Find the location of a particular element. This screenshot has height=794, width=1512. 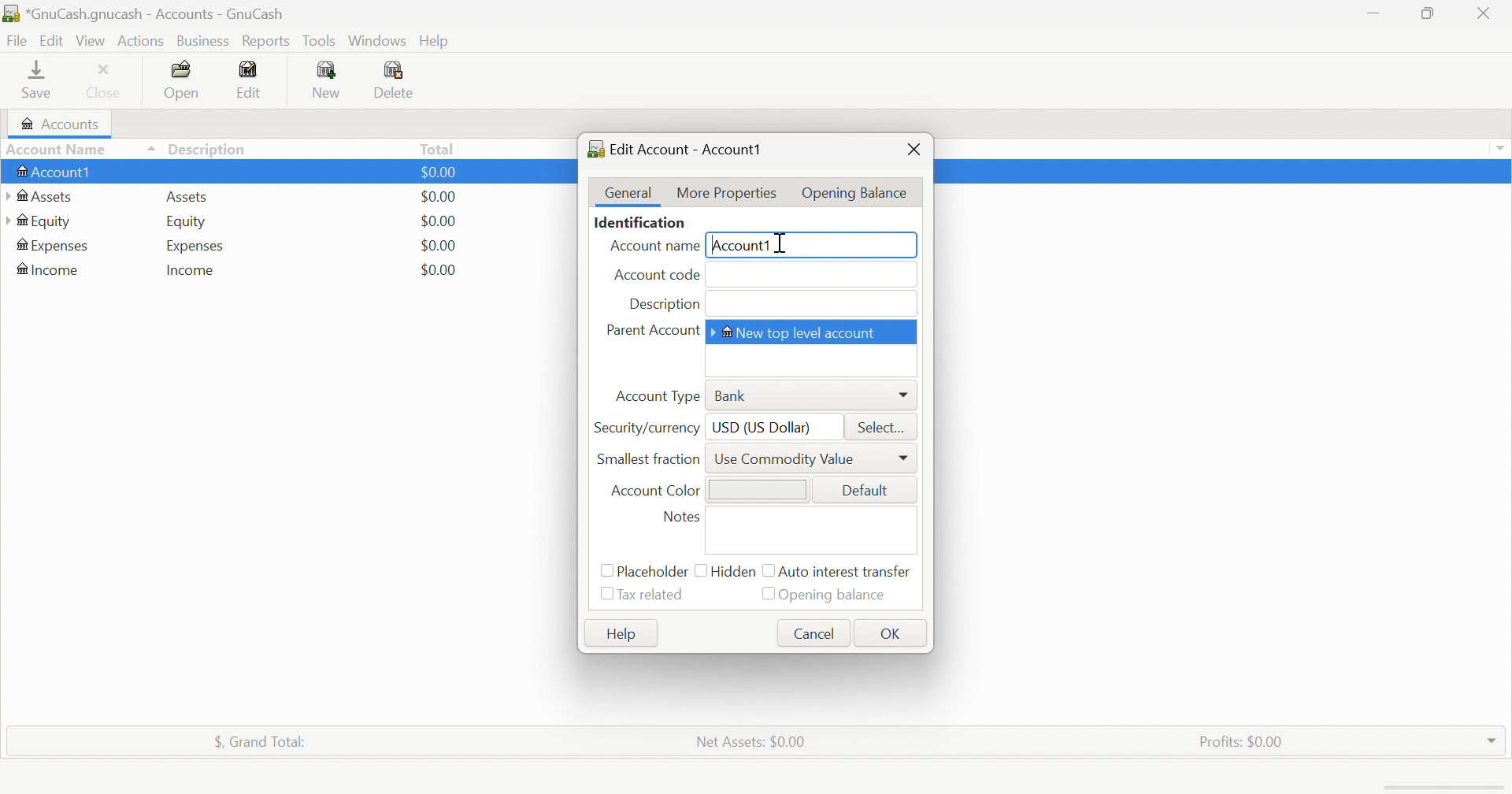

Account name is located at coordinates (651, 247).